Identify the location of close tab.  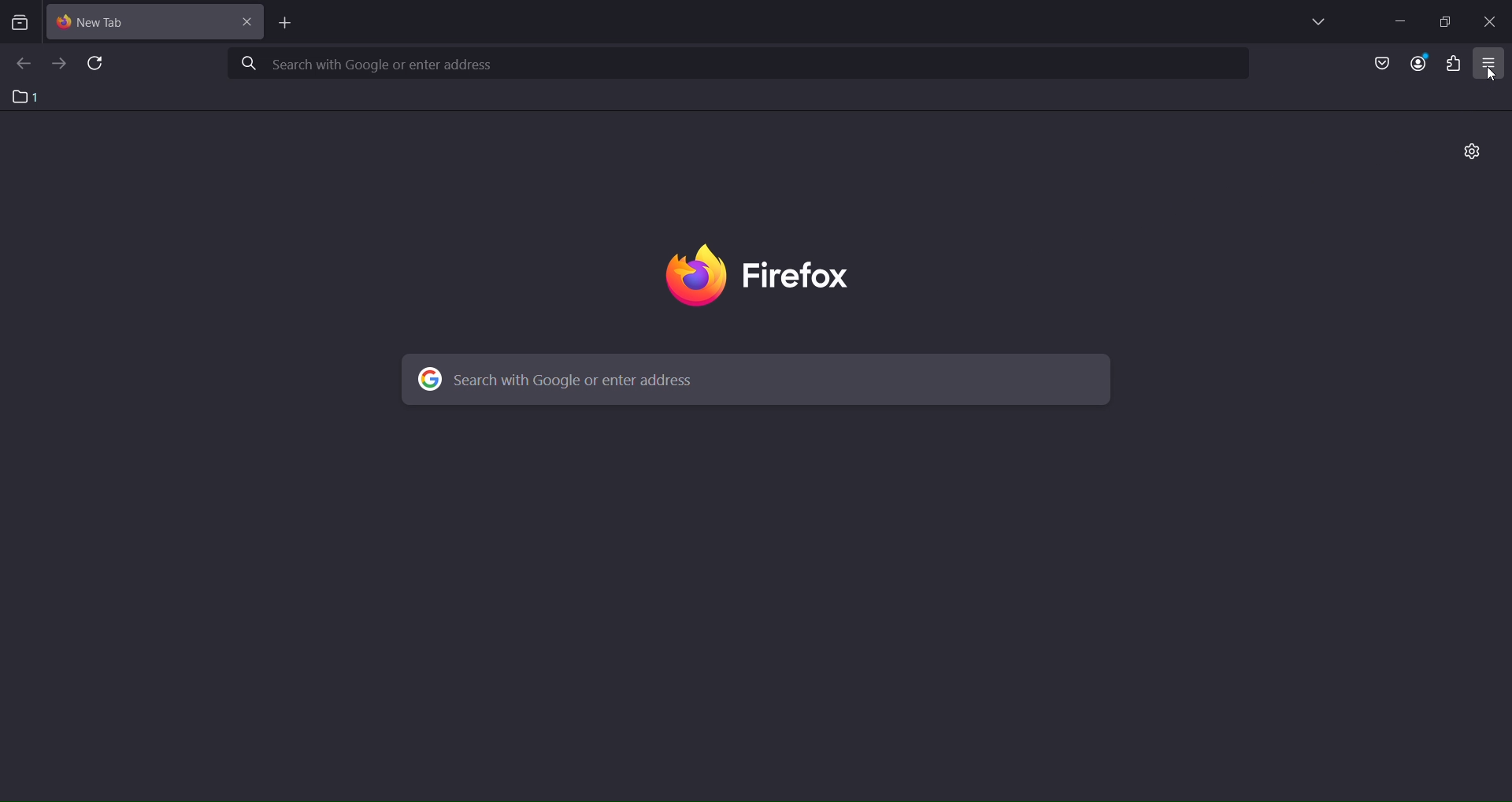
(143, 20).